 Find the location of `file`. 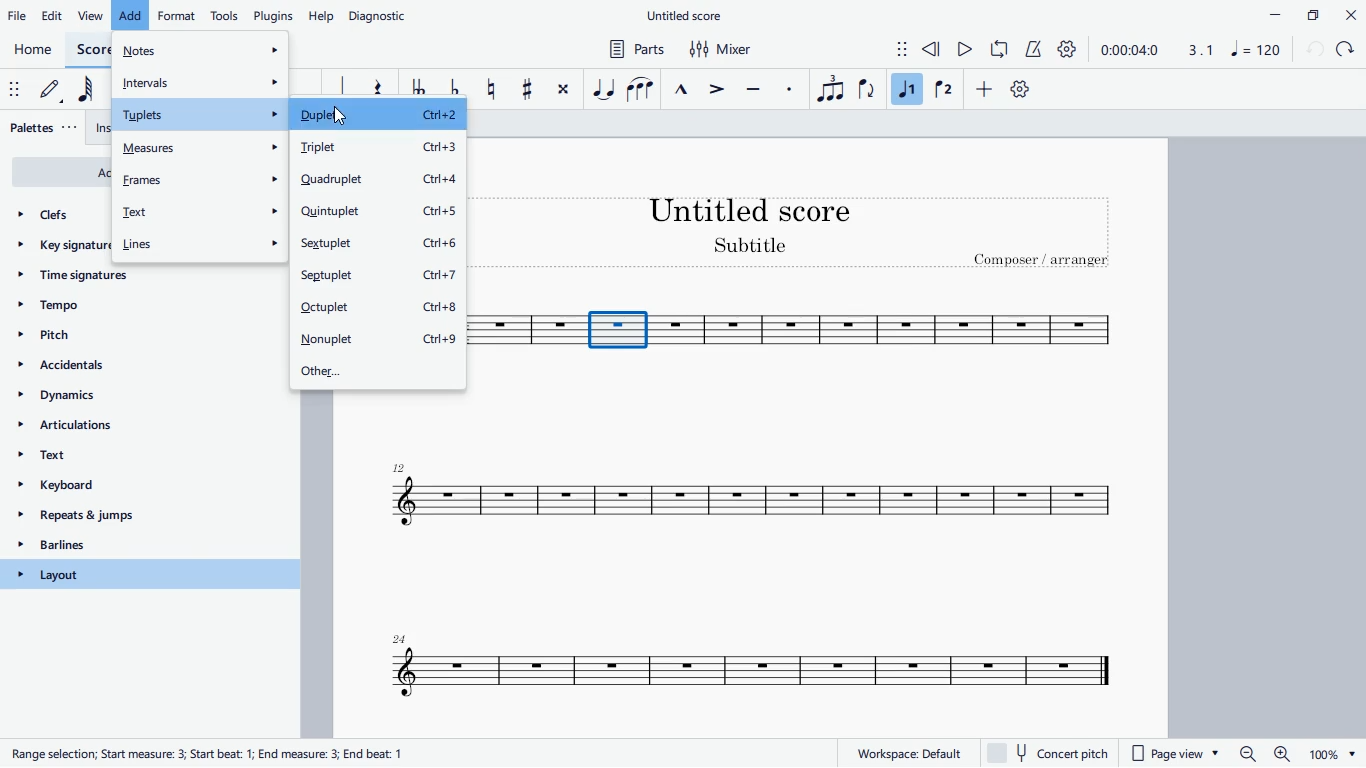

file is located at coordinates (18, 16).